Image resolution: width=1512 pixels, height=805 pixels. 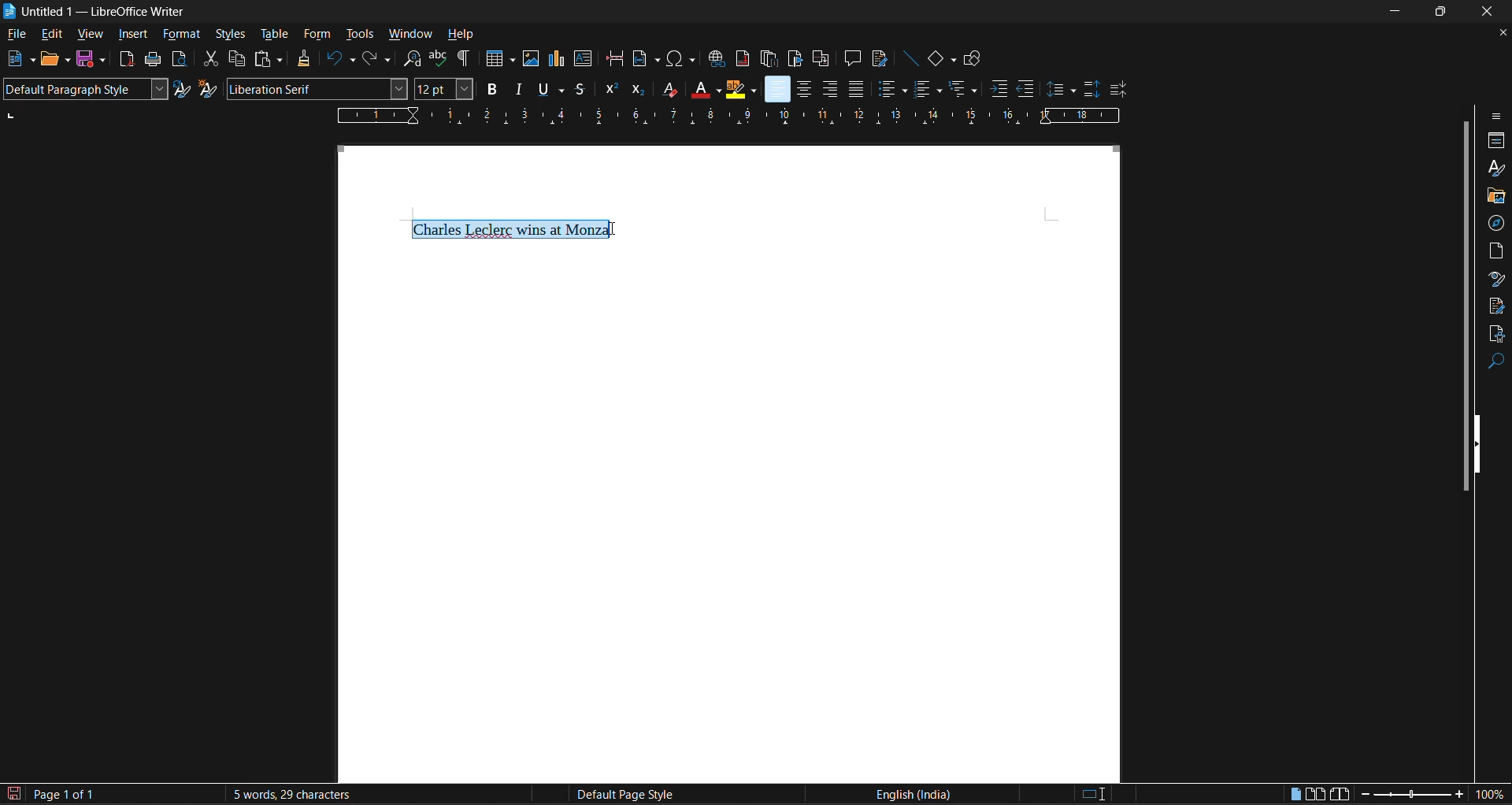 I want to click on gallery, so click(x=1495, y=197).